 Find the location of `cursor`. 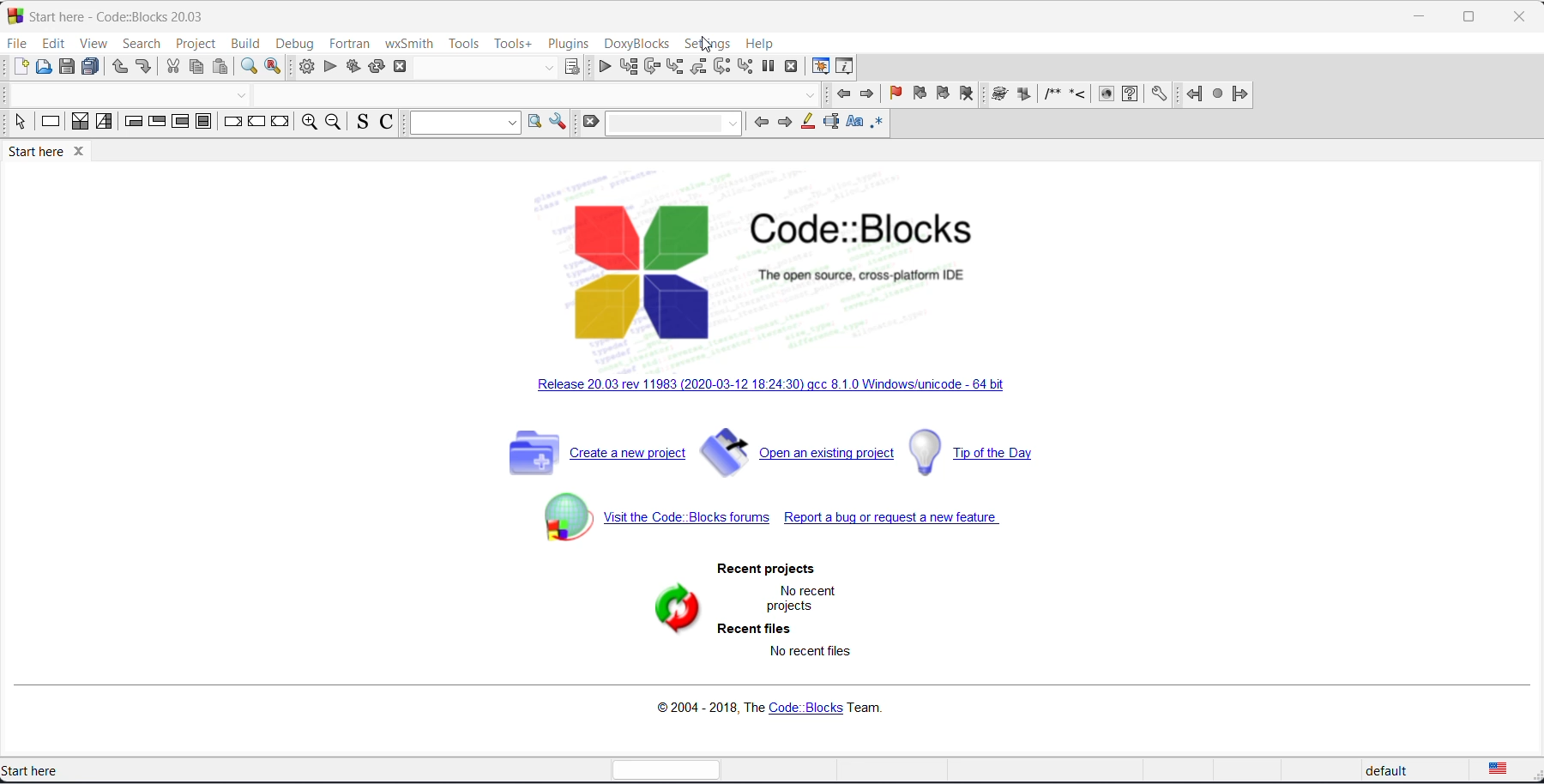

cursor is located at coordinates (707, 44).